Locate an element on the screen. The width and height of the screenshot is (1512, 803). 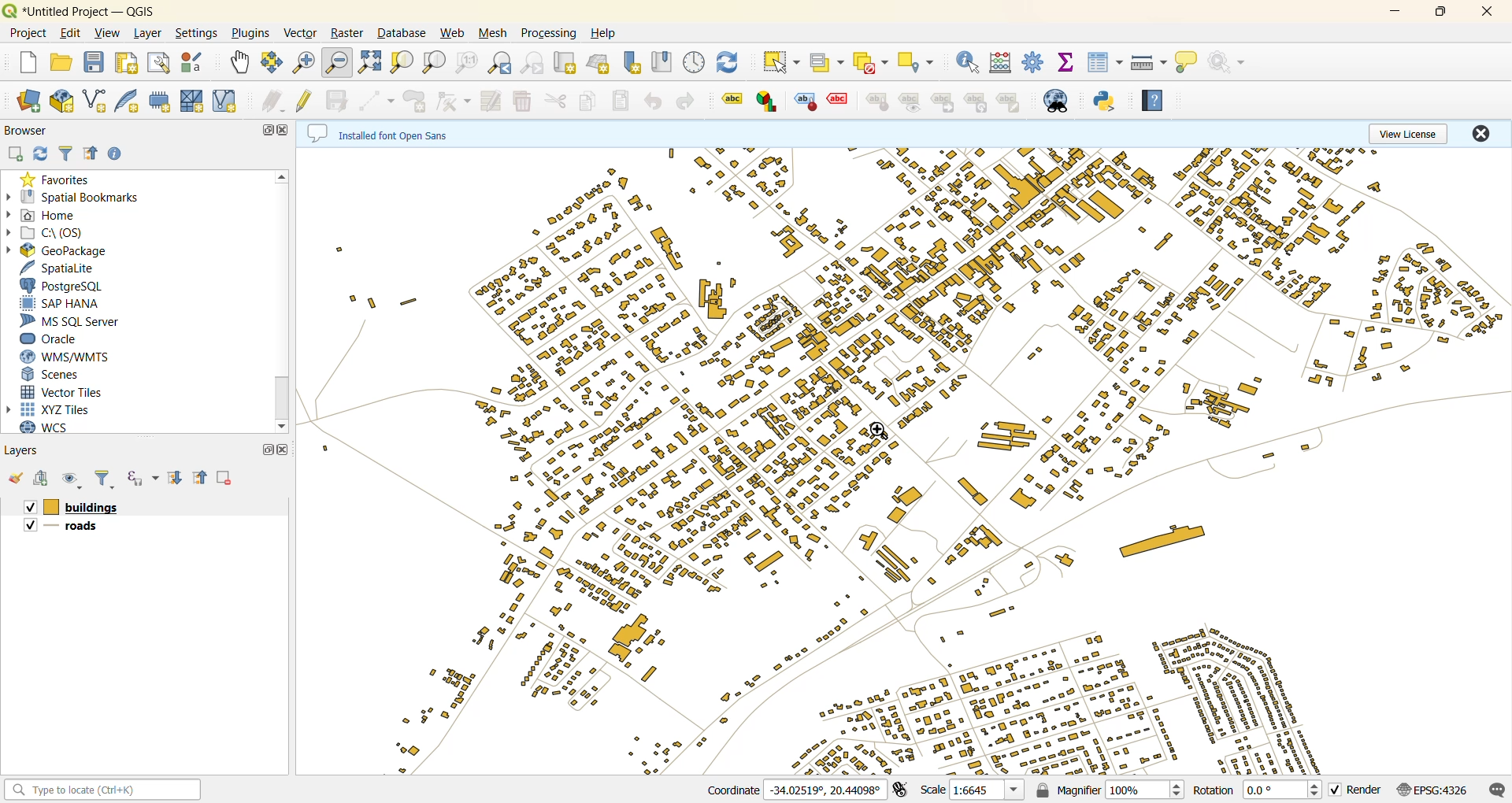
help is located at coordinates (1154, 103).